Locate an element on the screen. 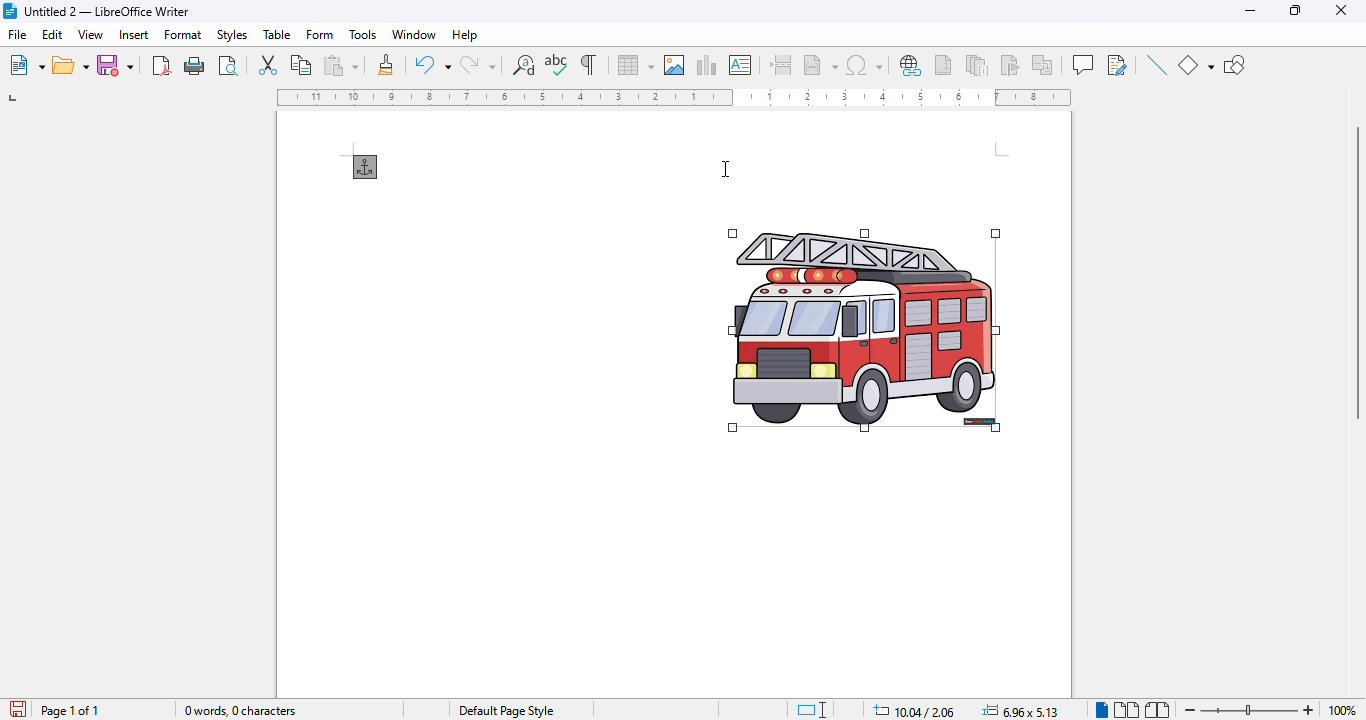 This screenshot has width=1366, height=720. styles is located at coordinates (232, 35).